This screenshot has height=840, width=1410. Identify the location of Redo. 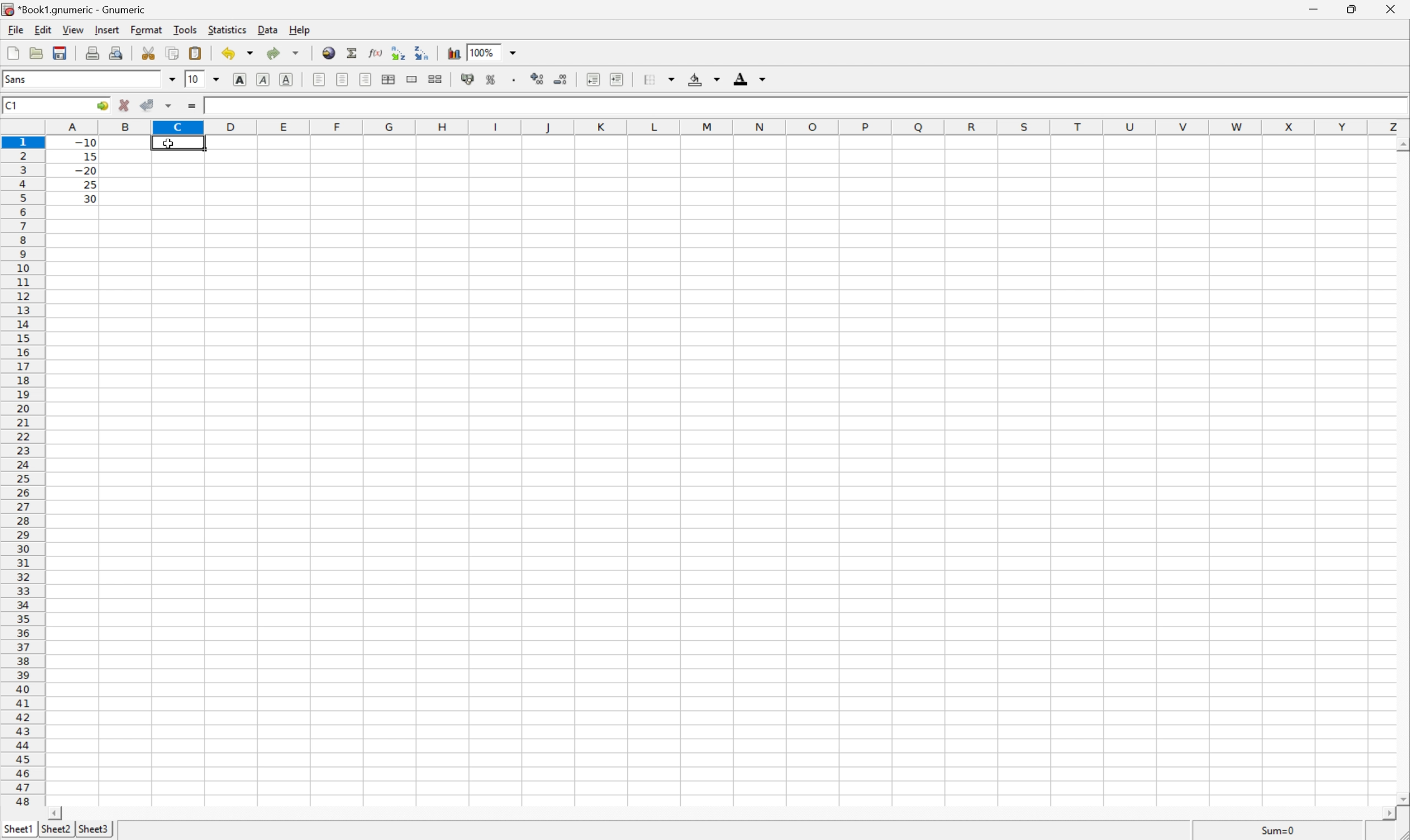
(285, 54).